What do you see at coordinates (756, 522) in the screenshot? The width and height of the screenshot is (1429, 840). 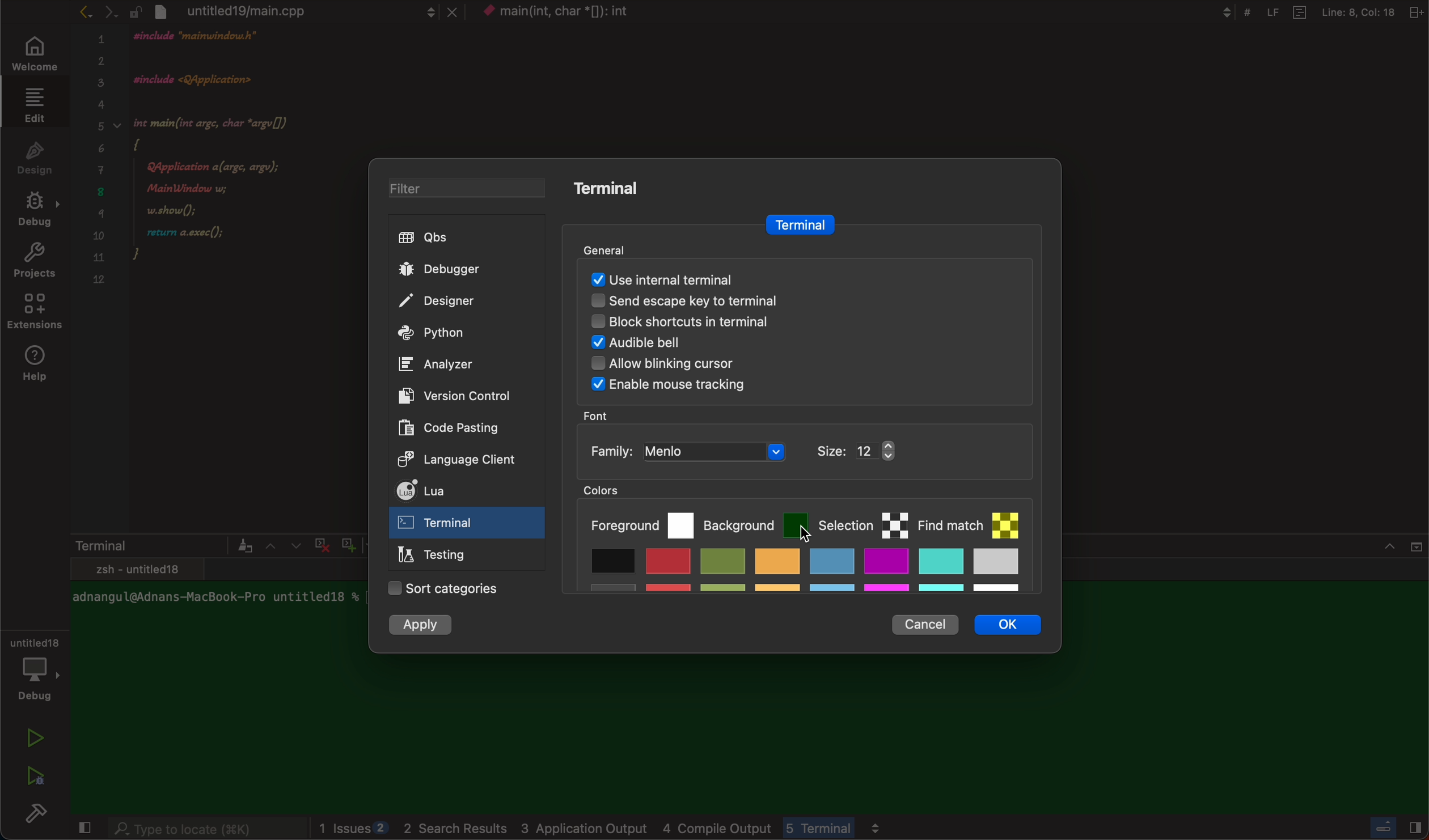 I see `Background ` at bounding box center [756, 522].